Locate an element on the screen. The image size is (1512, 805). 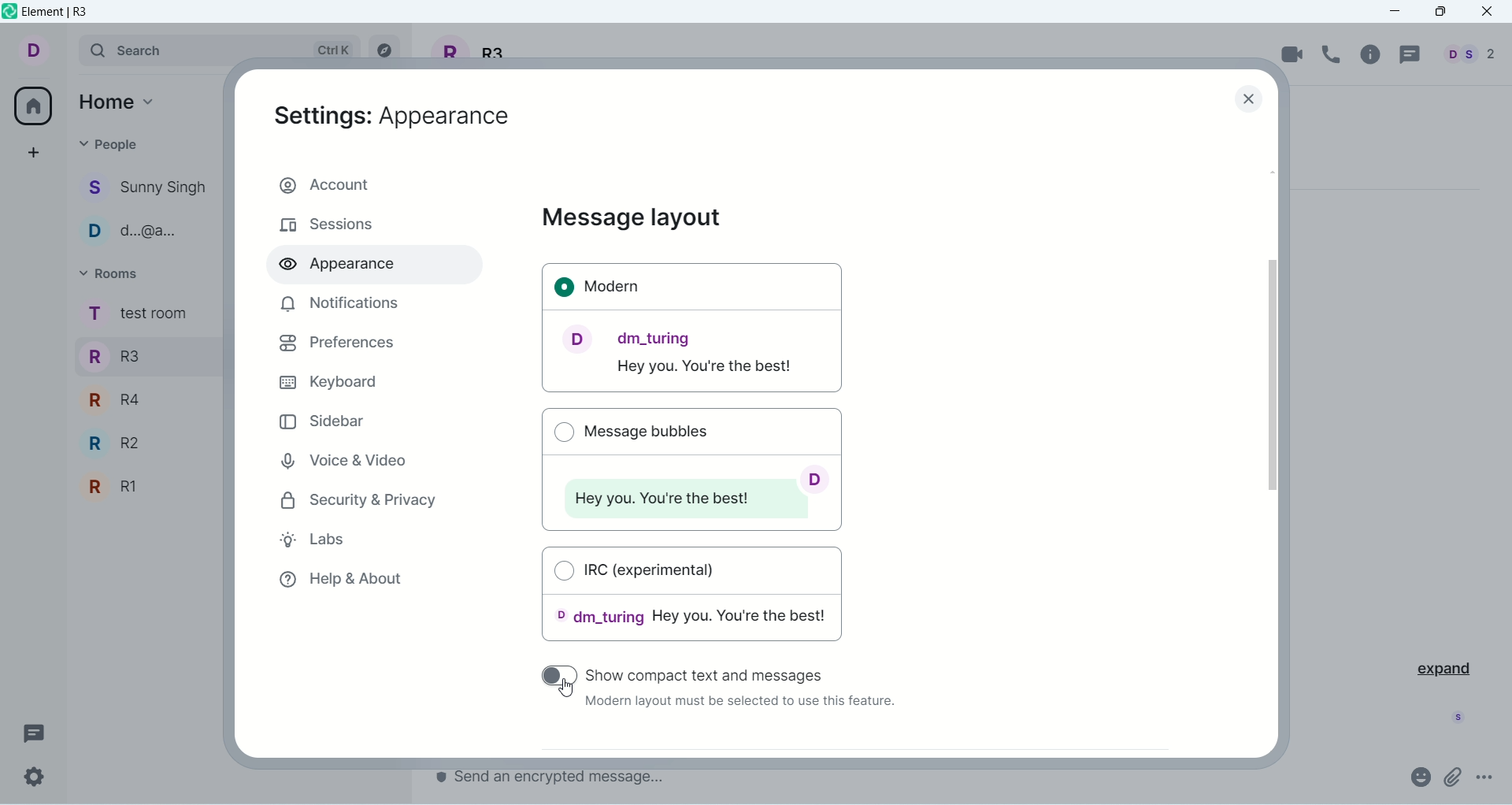
logo is located at coordinates (9, 14).